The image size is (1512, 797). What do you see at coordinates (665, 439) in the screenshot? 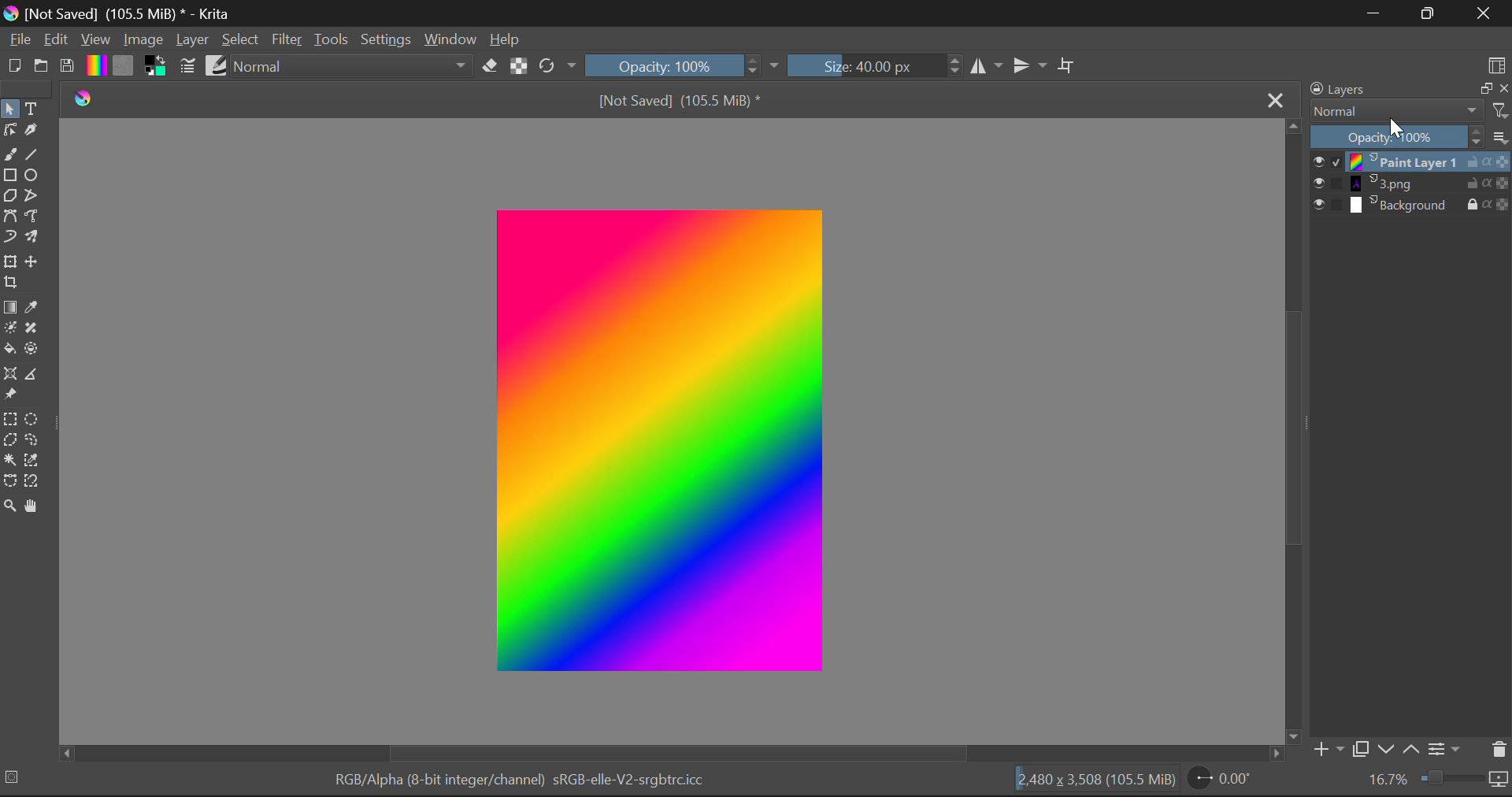
I see `Image Workspace` at bounding box center [665, 439].